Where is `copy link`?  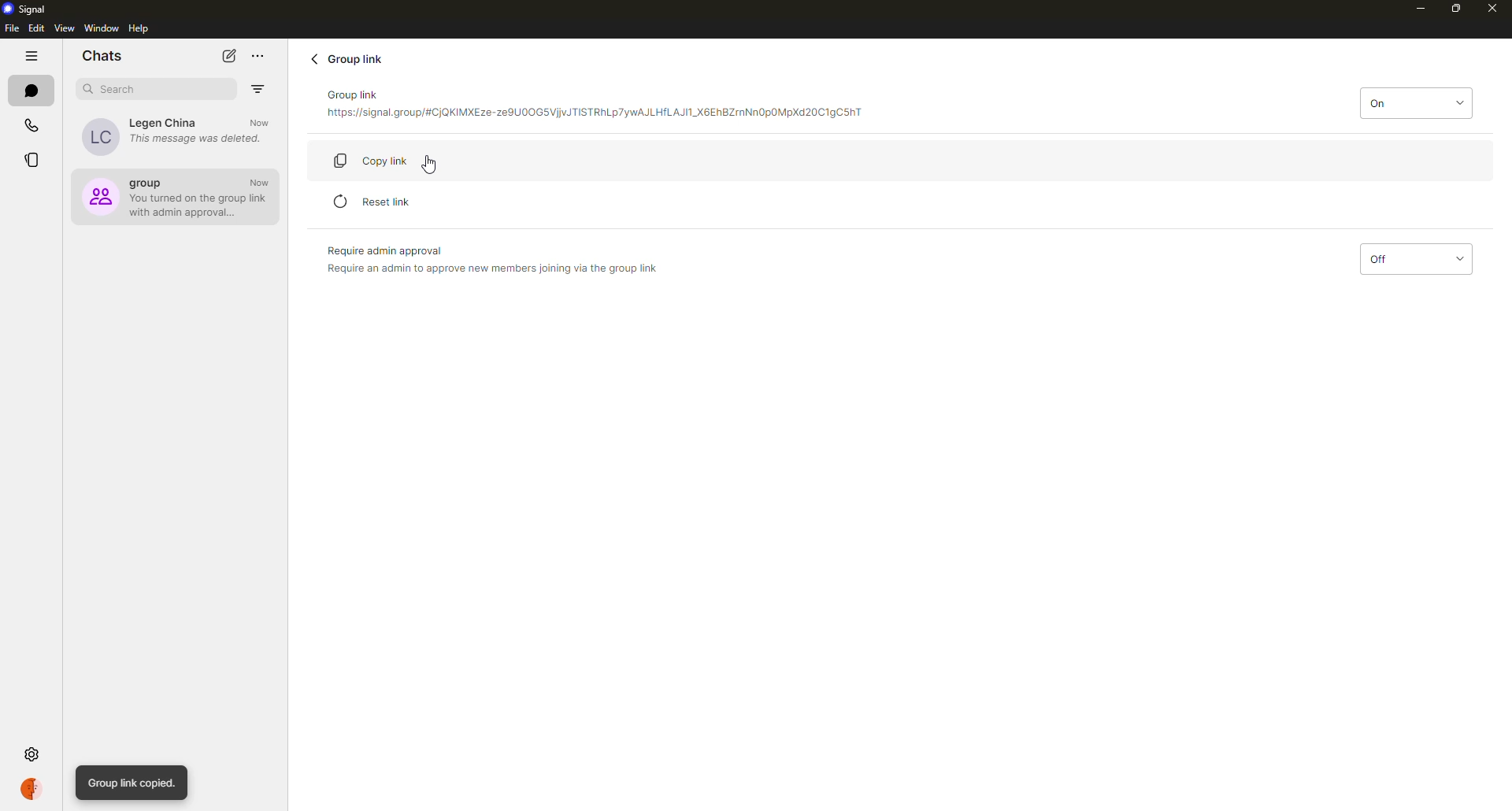
copy link is located at coordinates (384, 159).